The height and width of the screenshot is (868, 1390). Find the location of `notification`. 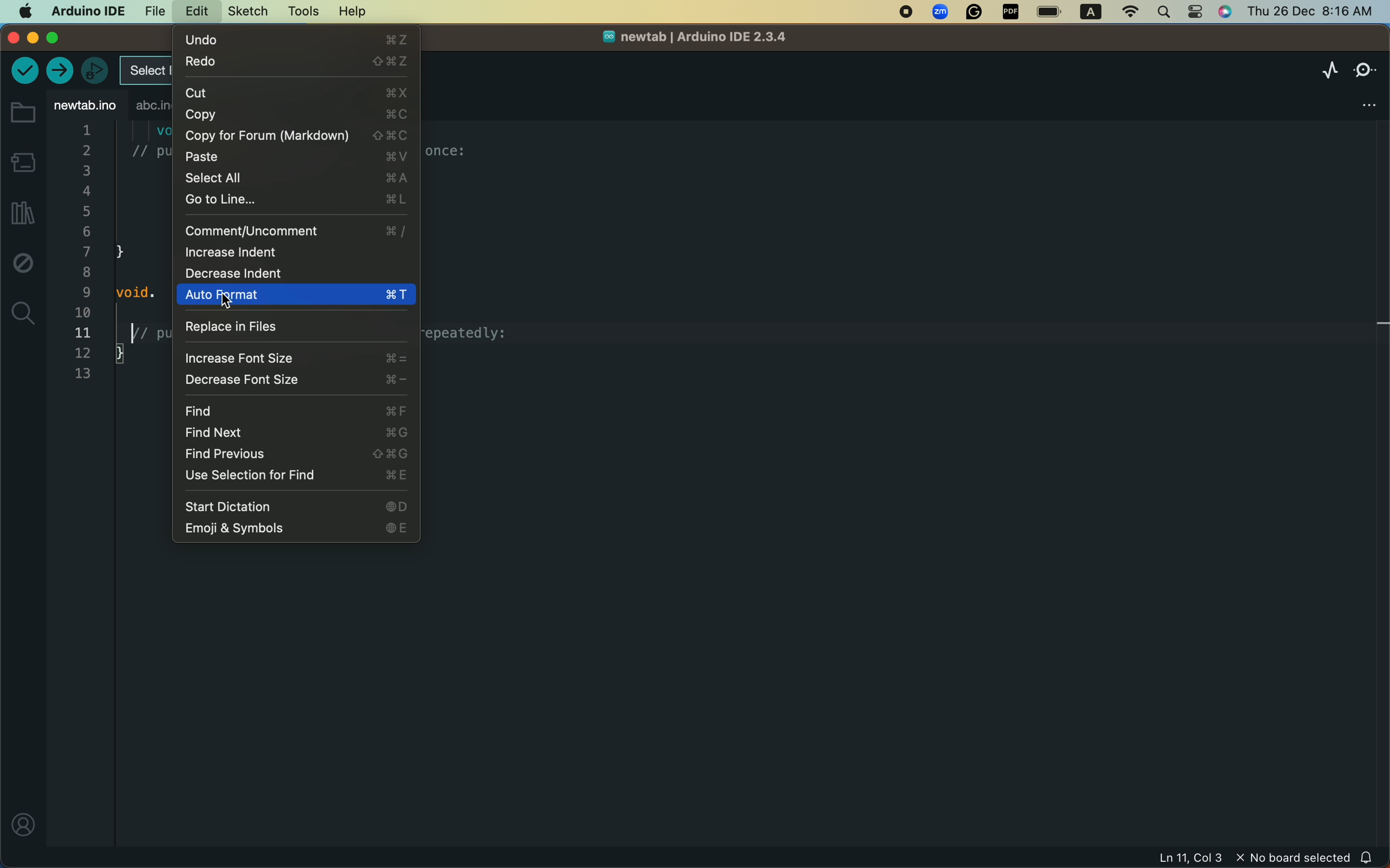

notification is located at coordinates (1369, 857).